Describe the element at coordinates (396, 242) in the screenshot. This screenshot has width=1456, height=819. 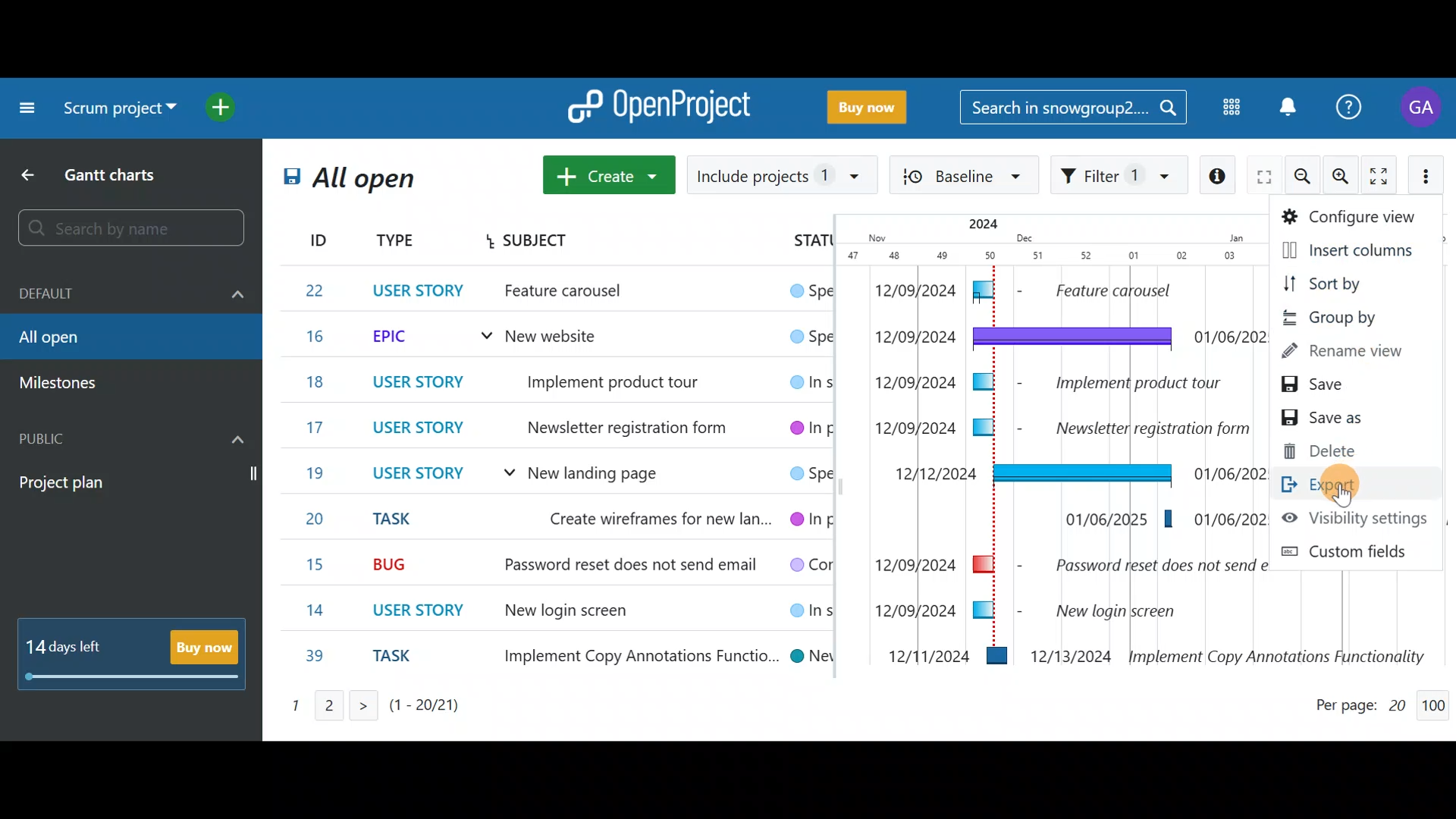
I see `Type` at that location.